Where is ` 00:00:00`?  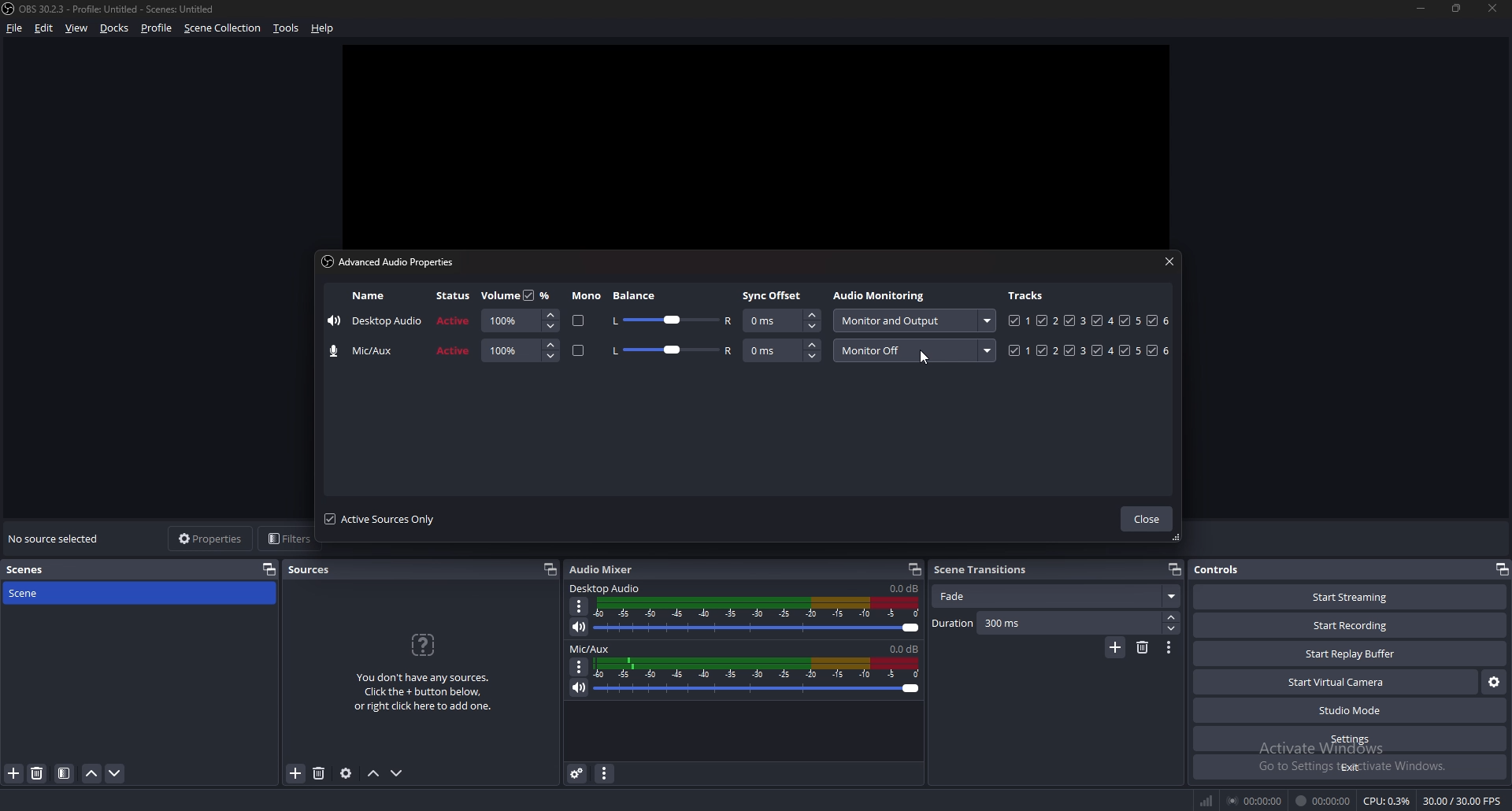  00:00:00 is located at coordinates (1325, 802).